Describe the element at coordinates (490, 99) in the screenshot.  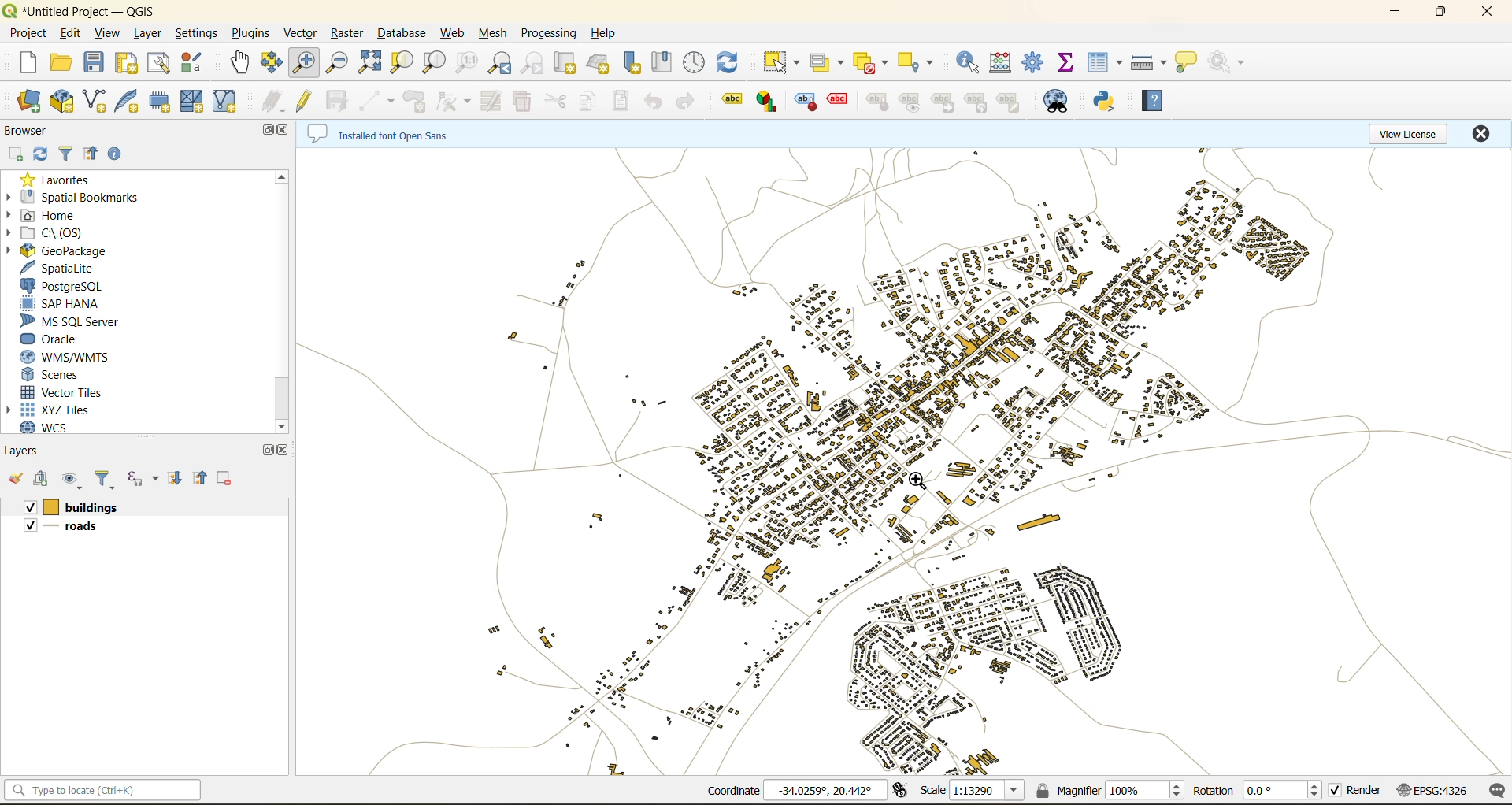
I see `modify` at that location.